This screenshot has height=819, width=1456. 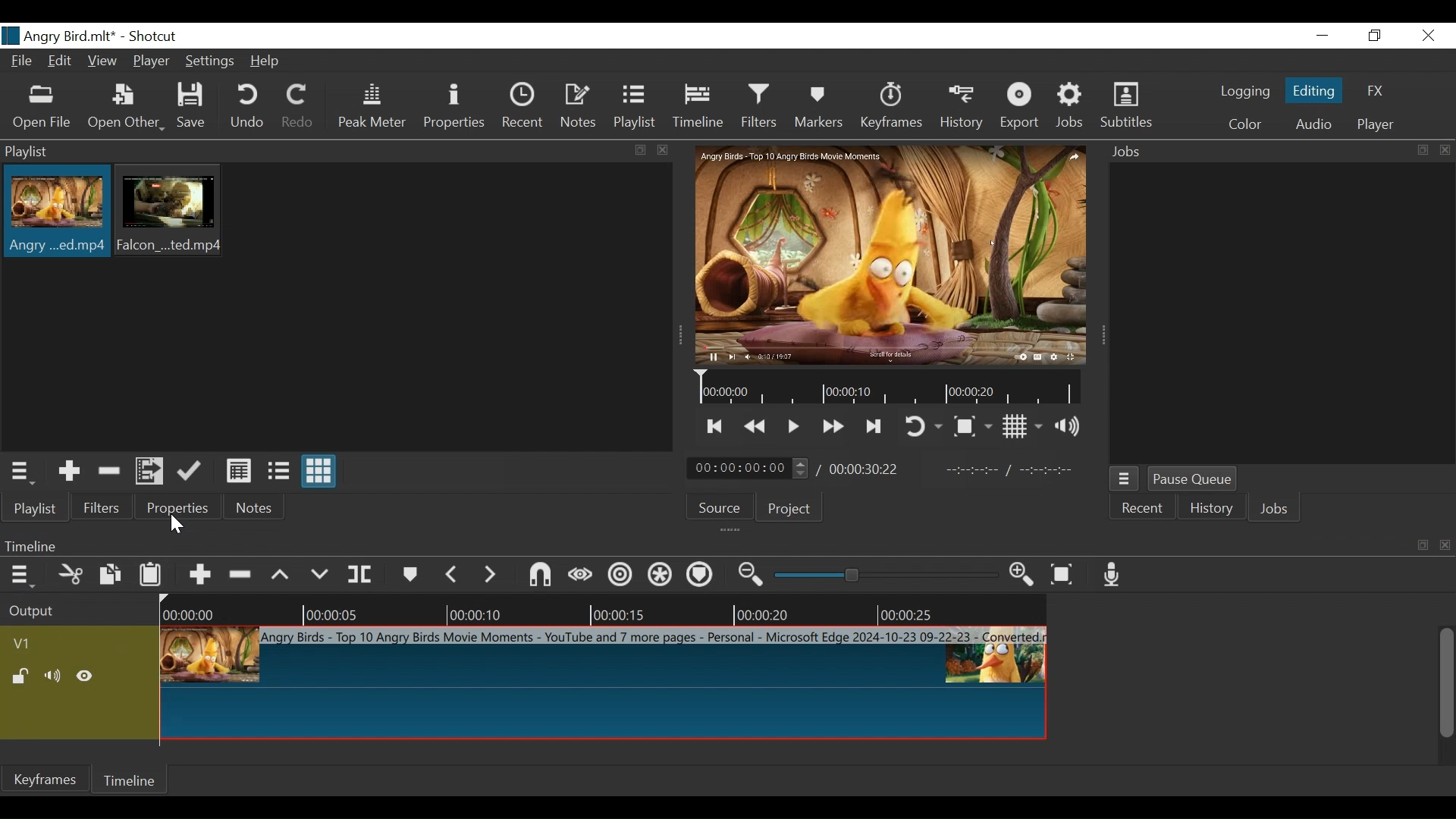 I want to click on Color, so click(x=1241, y=124).